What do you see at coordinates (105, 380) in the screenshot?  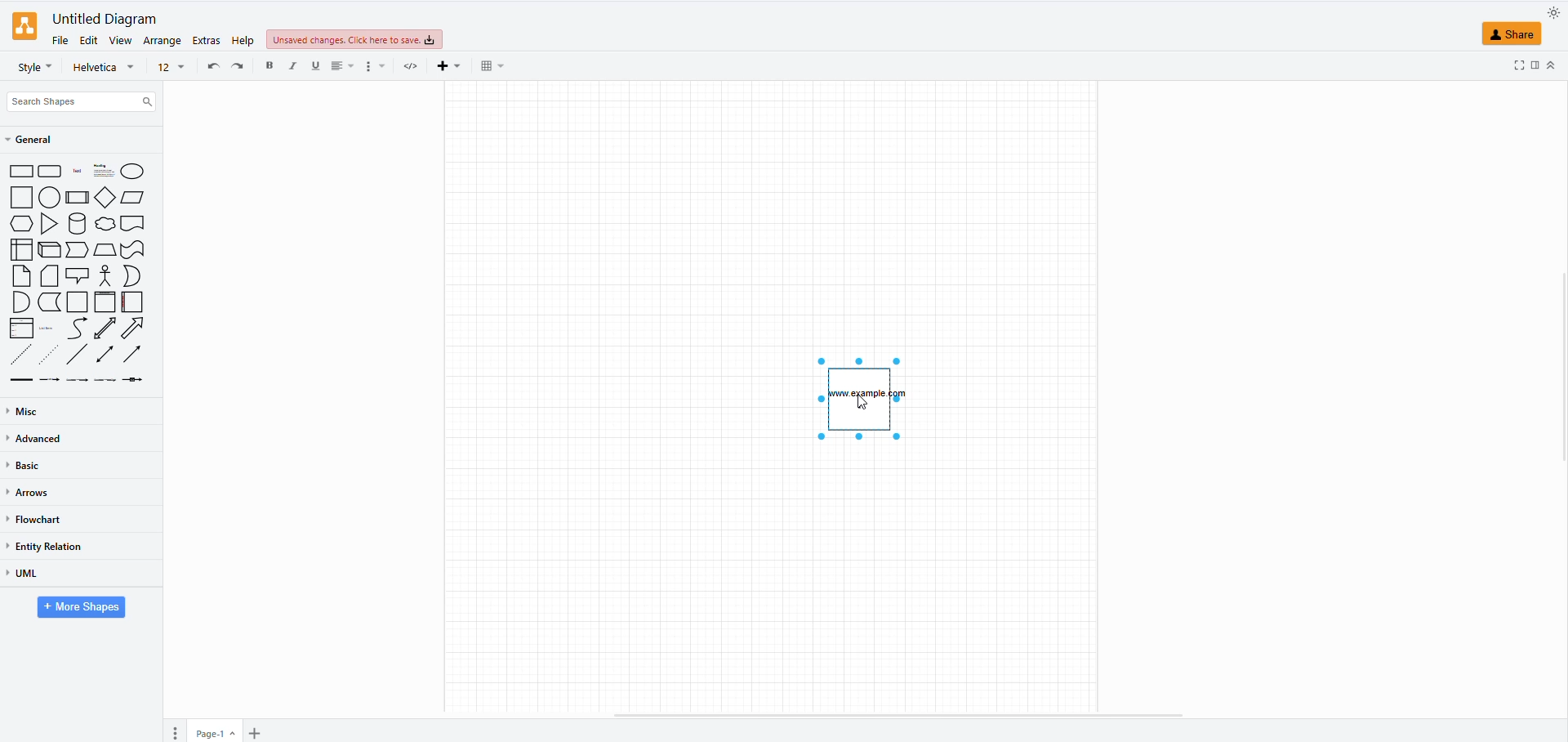 I see `connector with 3 labels ` at bounding box center [105, 380].